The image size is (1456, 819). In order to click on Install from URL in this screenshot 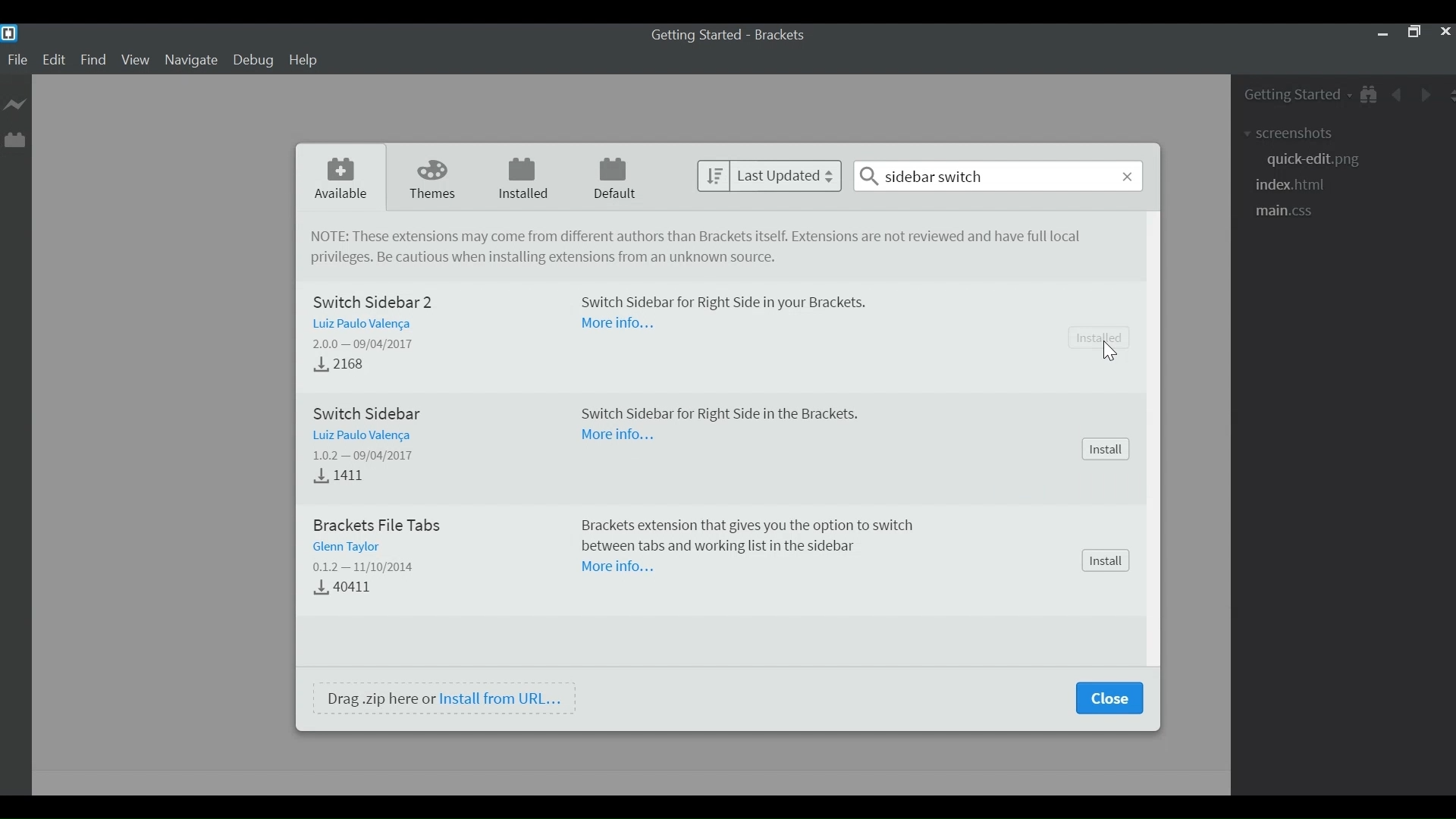, I will do `click(503, 698)`.